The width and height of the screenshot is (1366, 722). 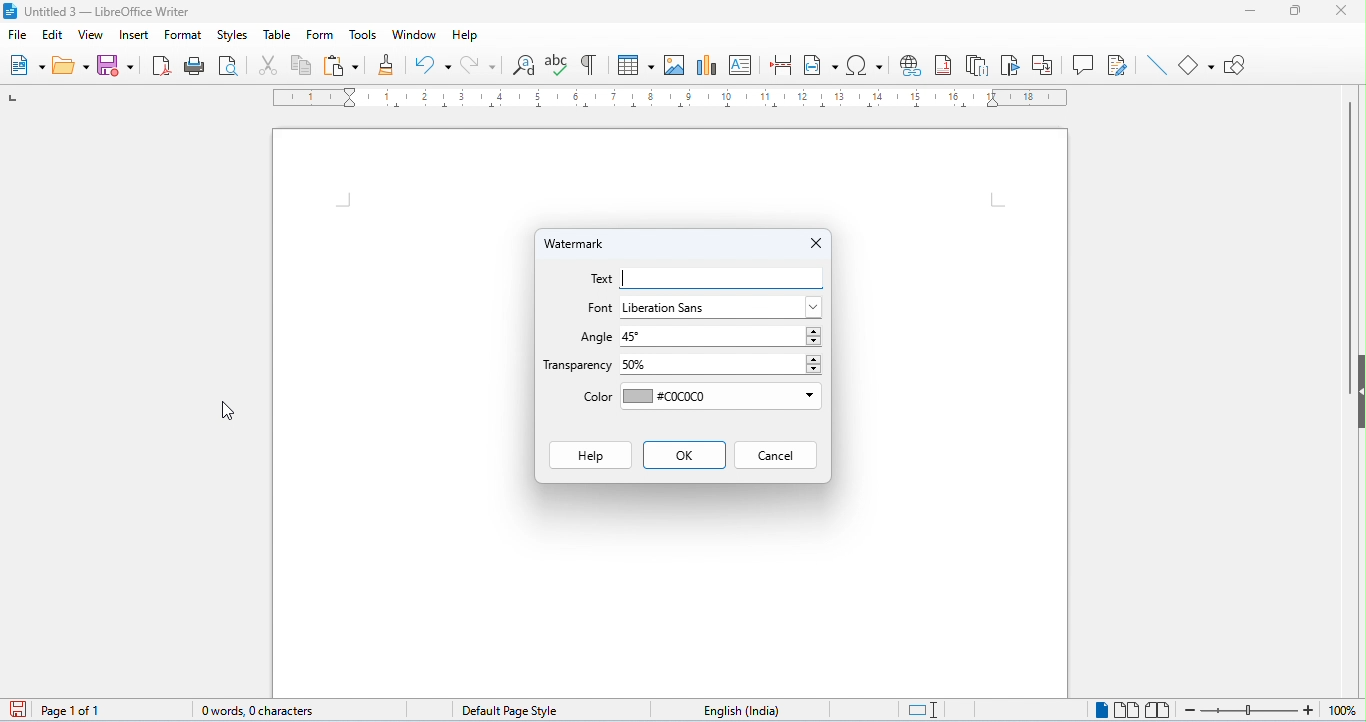 I want to click on insert field, so click(x=822, y=64).